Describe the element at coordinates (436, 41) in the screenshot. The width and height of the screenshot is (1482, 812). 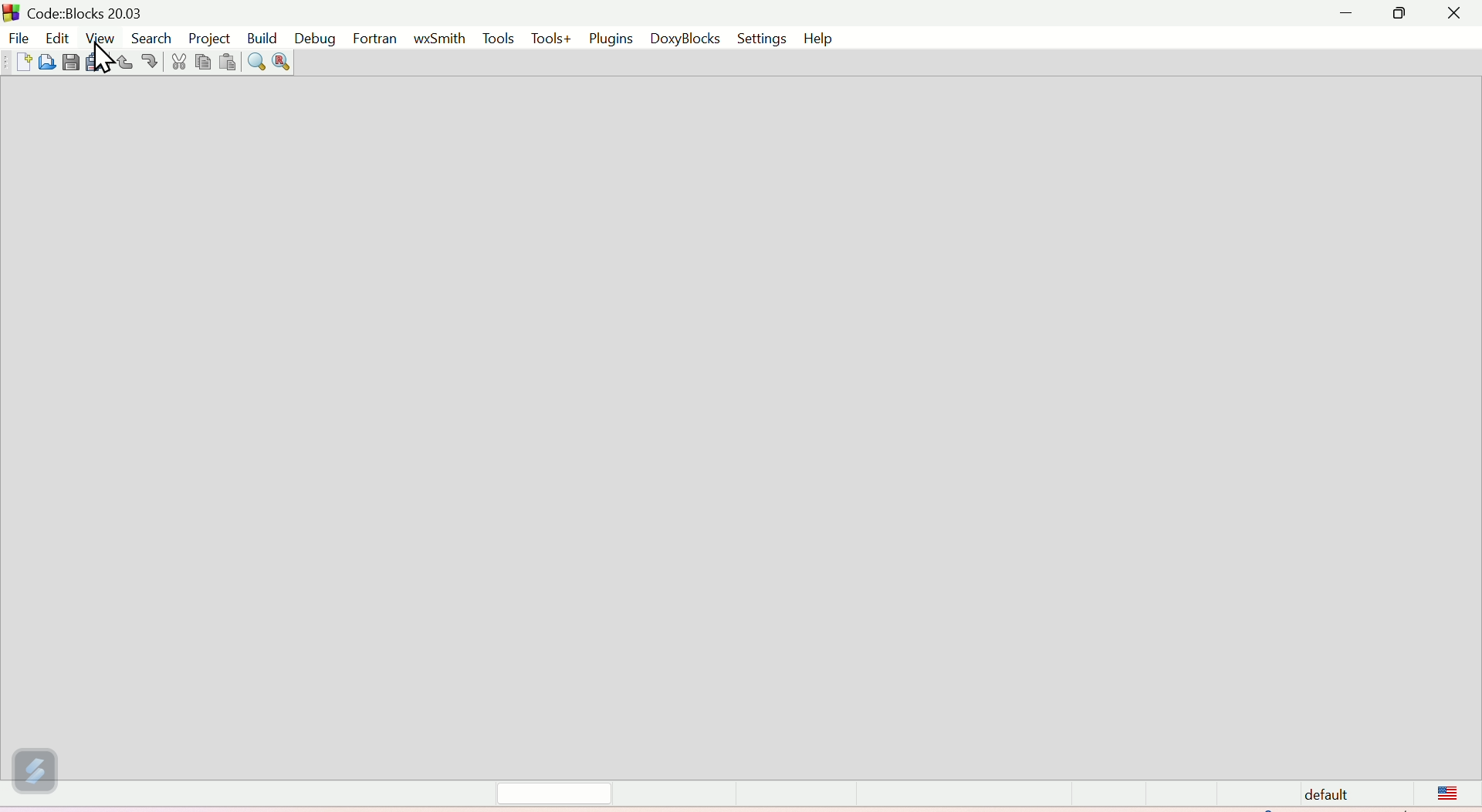
I see `wxSmith` at that location.